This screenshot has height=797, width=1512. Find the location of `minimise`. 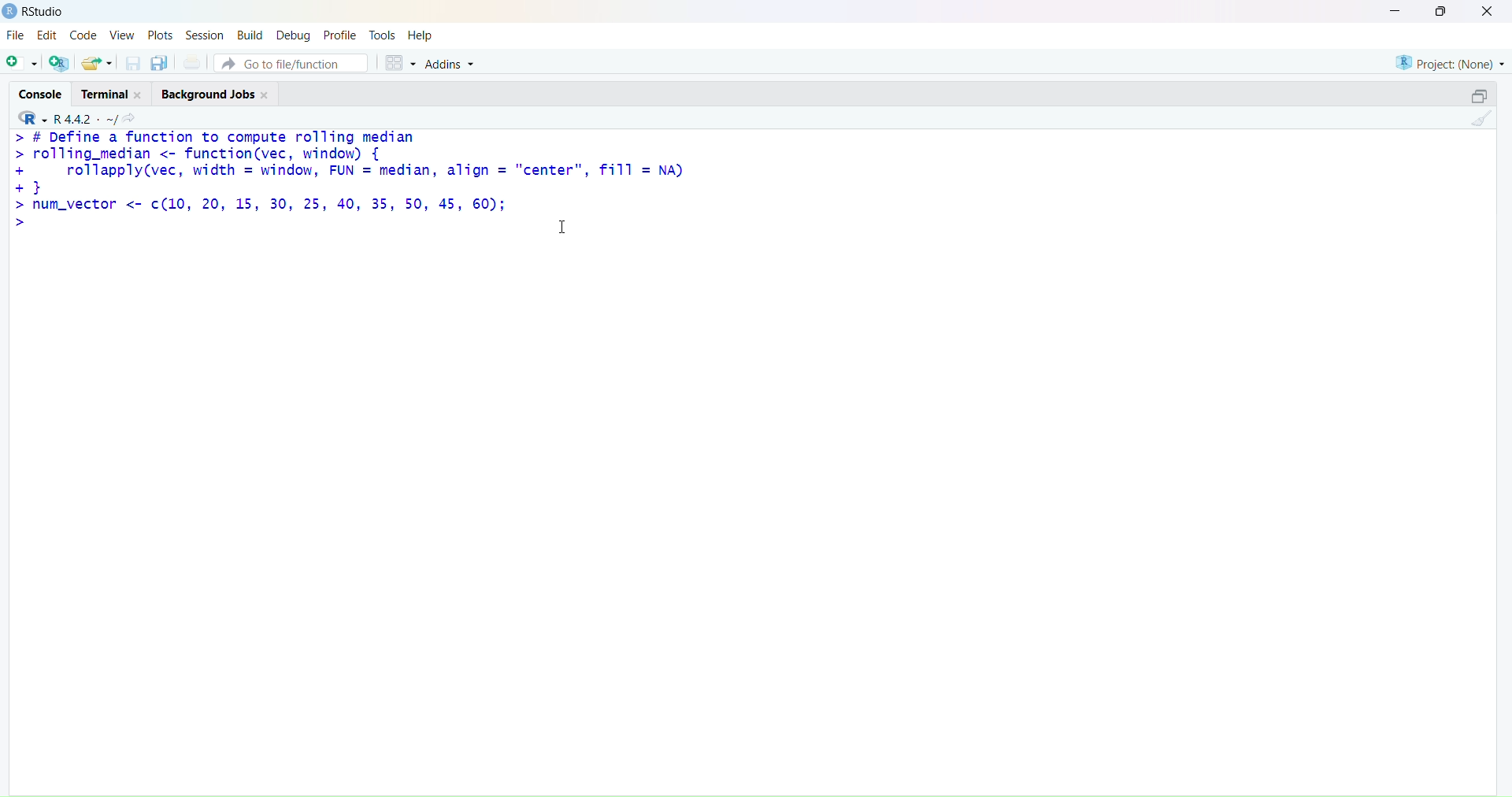

minimise is located at coordinates (1395, 9).